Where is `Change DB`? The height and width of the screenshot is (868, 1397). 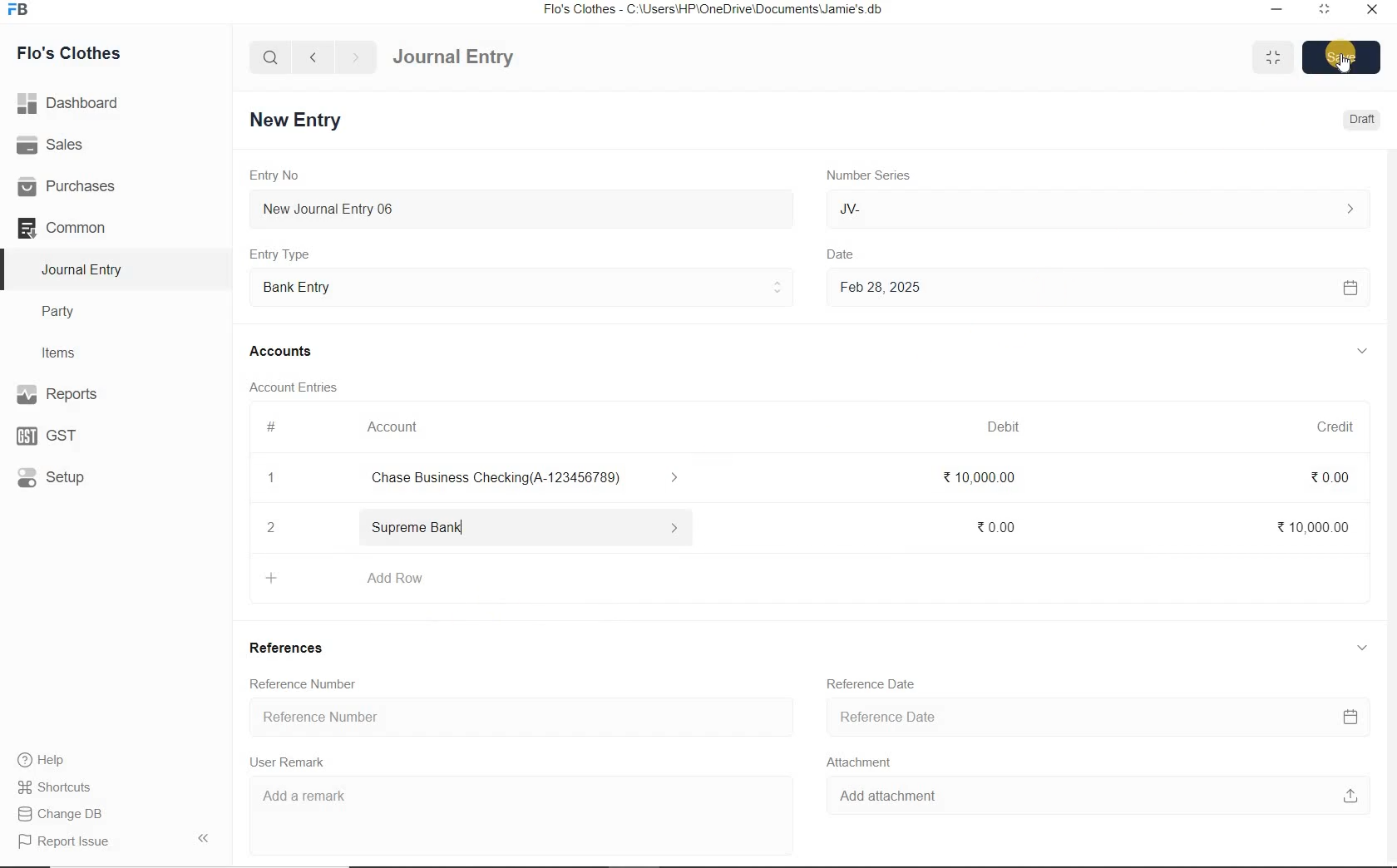 Change DB is located at coordinates (62, 812).